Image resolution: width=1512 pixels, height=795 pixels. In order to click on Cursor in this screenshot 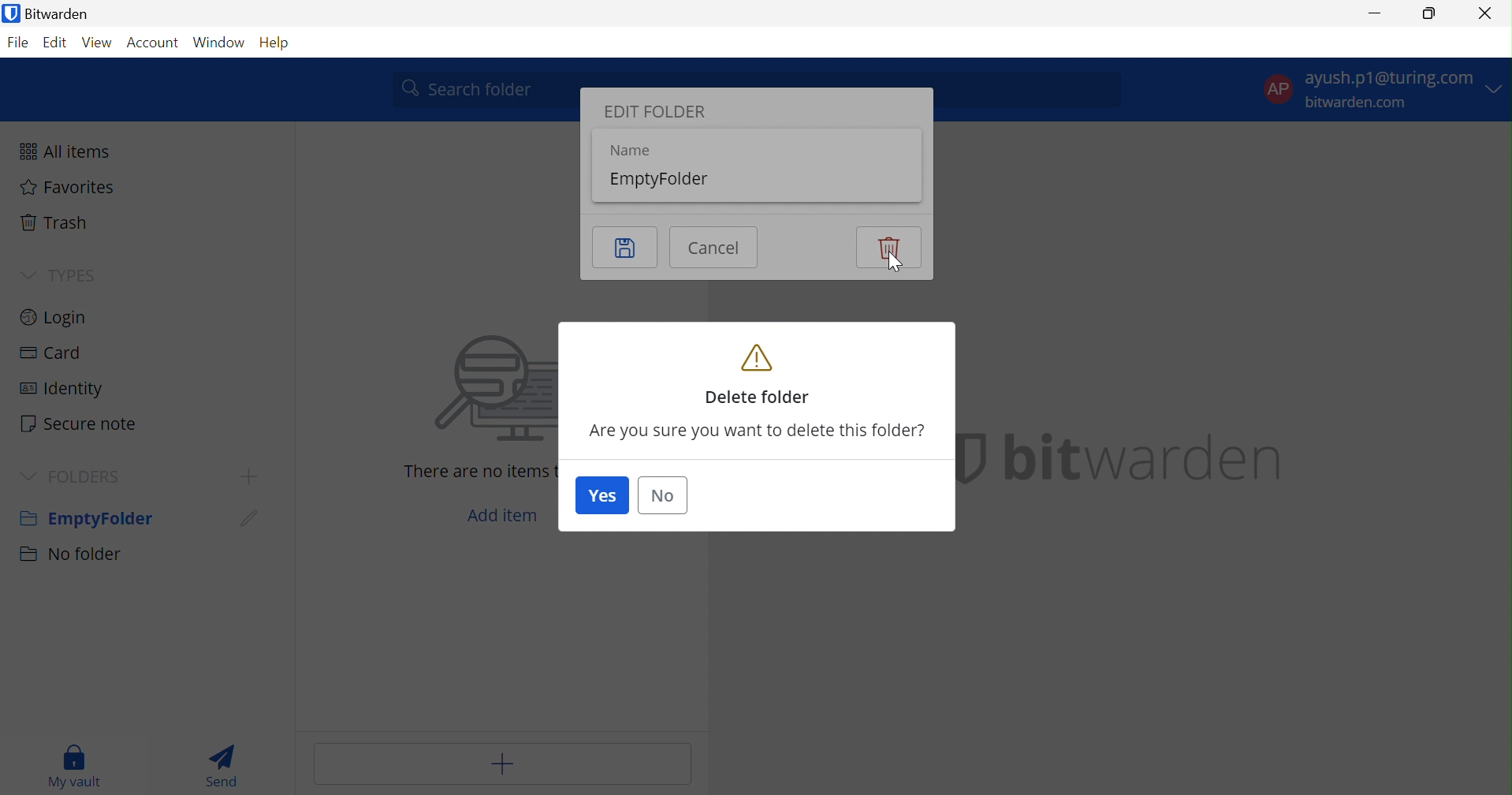, I will do `click(246, 524)`.